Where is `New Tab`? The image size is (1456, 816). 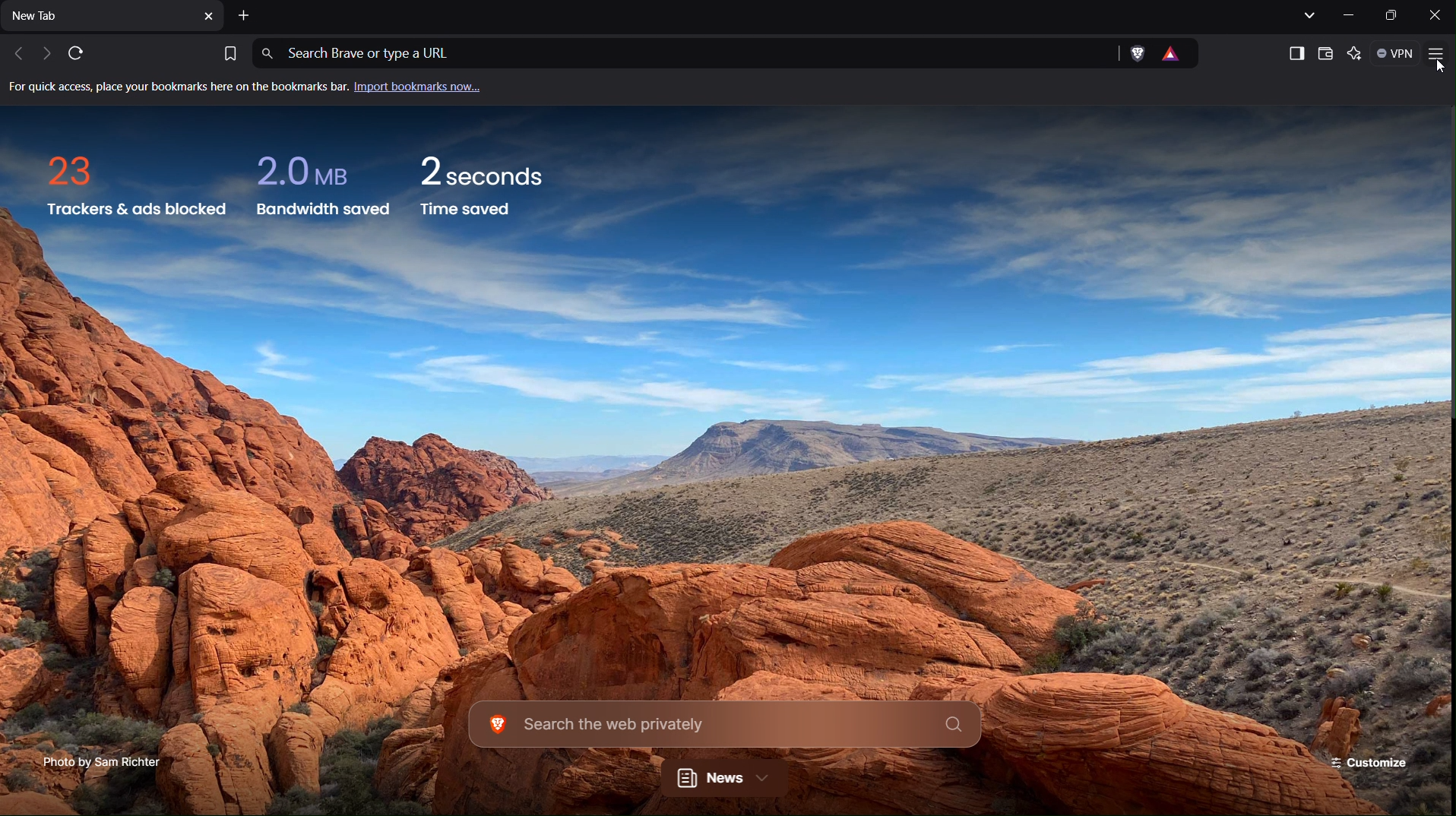
New Tab is located at coordinates (112, 15).